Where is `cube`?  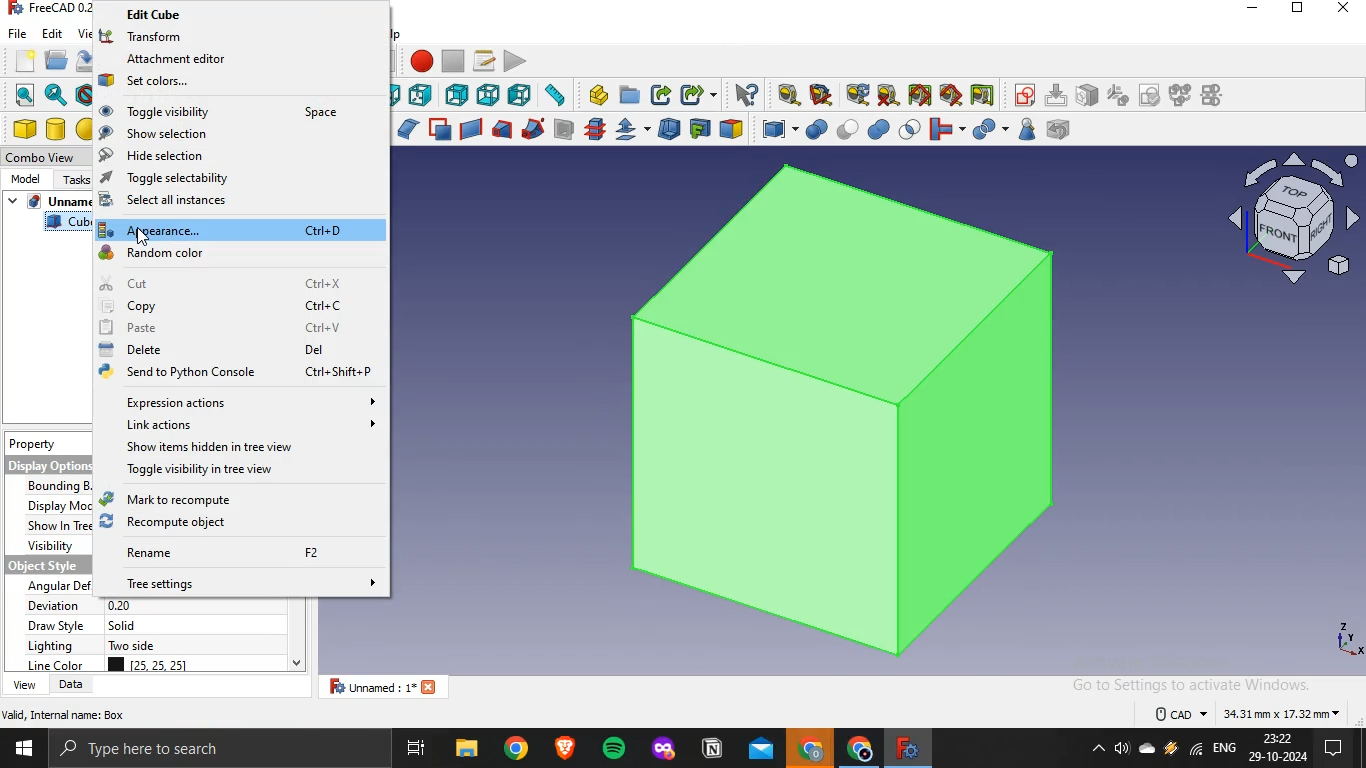
cube is located at coordinates (24, 129).